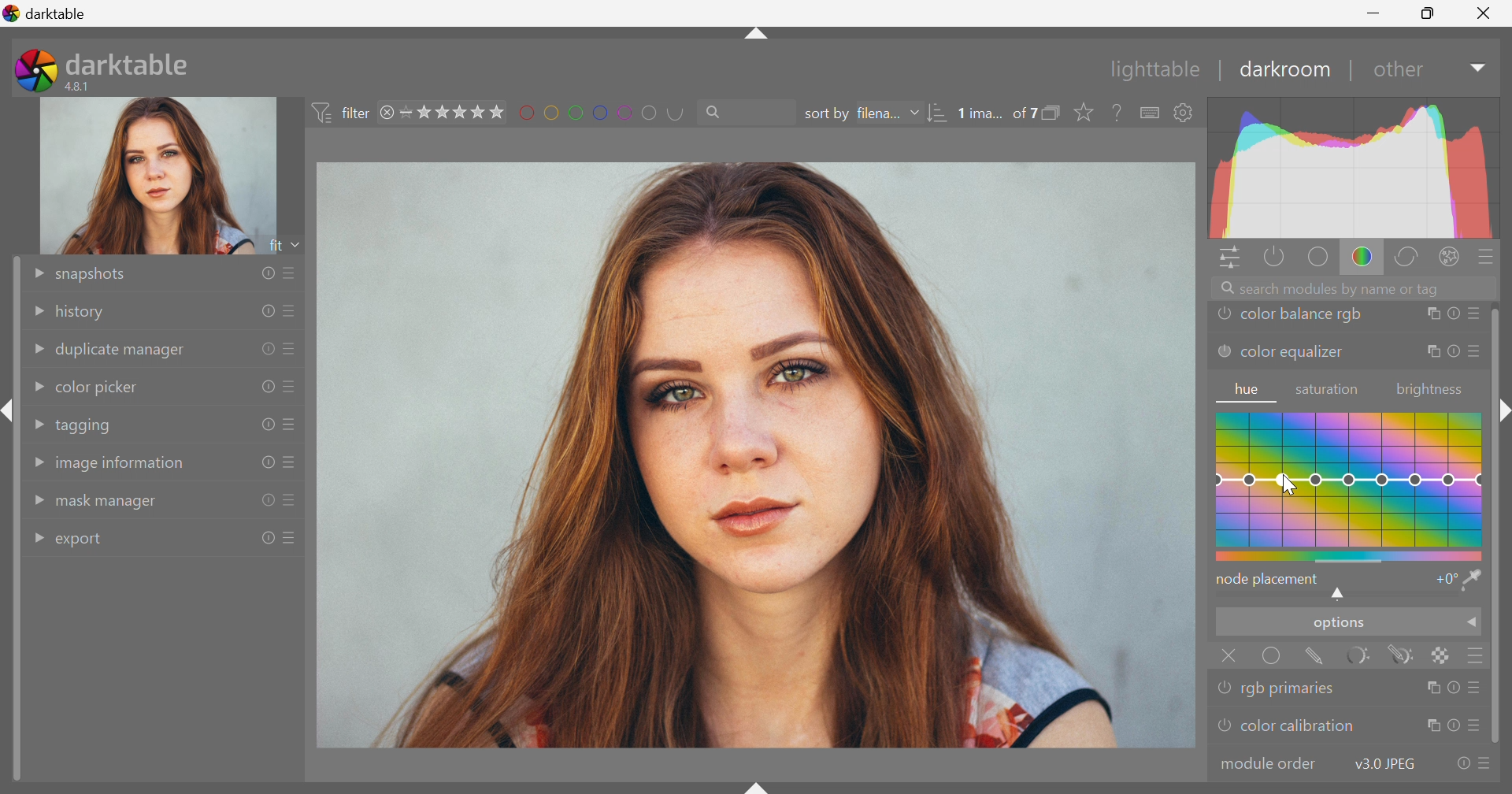 Image resolution: width=1512 pixels, height=794 pixels. Describe the element at coordinates (454, 112) in the screenshot. I see `range rating` at that location.